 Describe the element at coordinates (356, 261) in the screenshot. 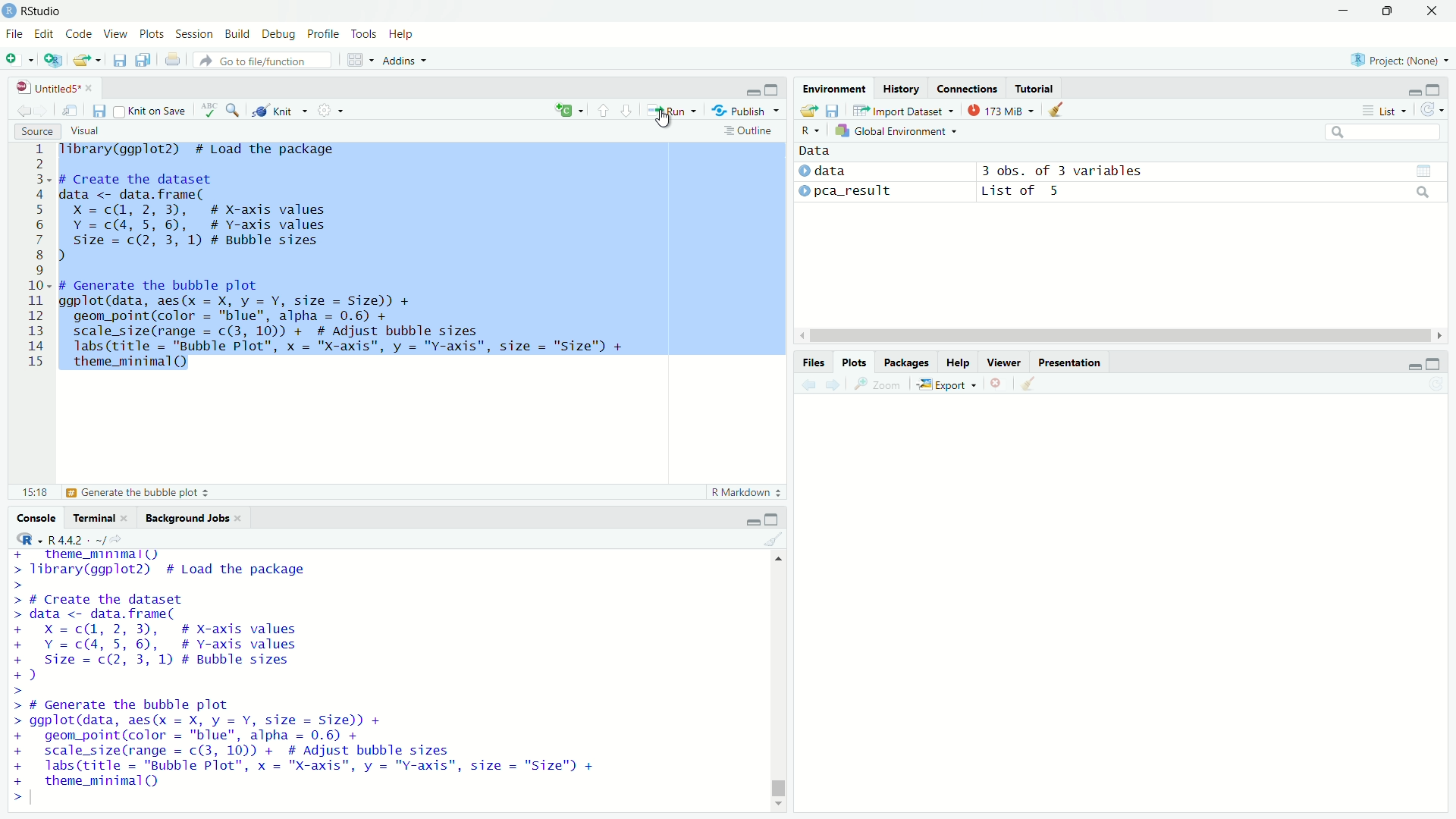

I see `Tibrary(ggplot2) # Load the package

# Create the dataset

data <- data. frame(
X =c@, 2, 3), # X-axis values
Y =c(4,5, 6), # Y-axis values
Size = c(2, 3, 1) # Bubble sizes 1

)

# Generate the bubble plot

ggplot(data, aes(x = X, y = Y, size = Size)) +
geom_point(color = "blue", alpha = 0.6) +
scale_size(range = c(3, 10)) + # Adjust bubble sizes
labs (title = "Bubble Plot", x = "X-axis", y = "Y-axis", size = "Size") +
theme_minimal()` at that location.